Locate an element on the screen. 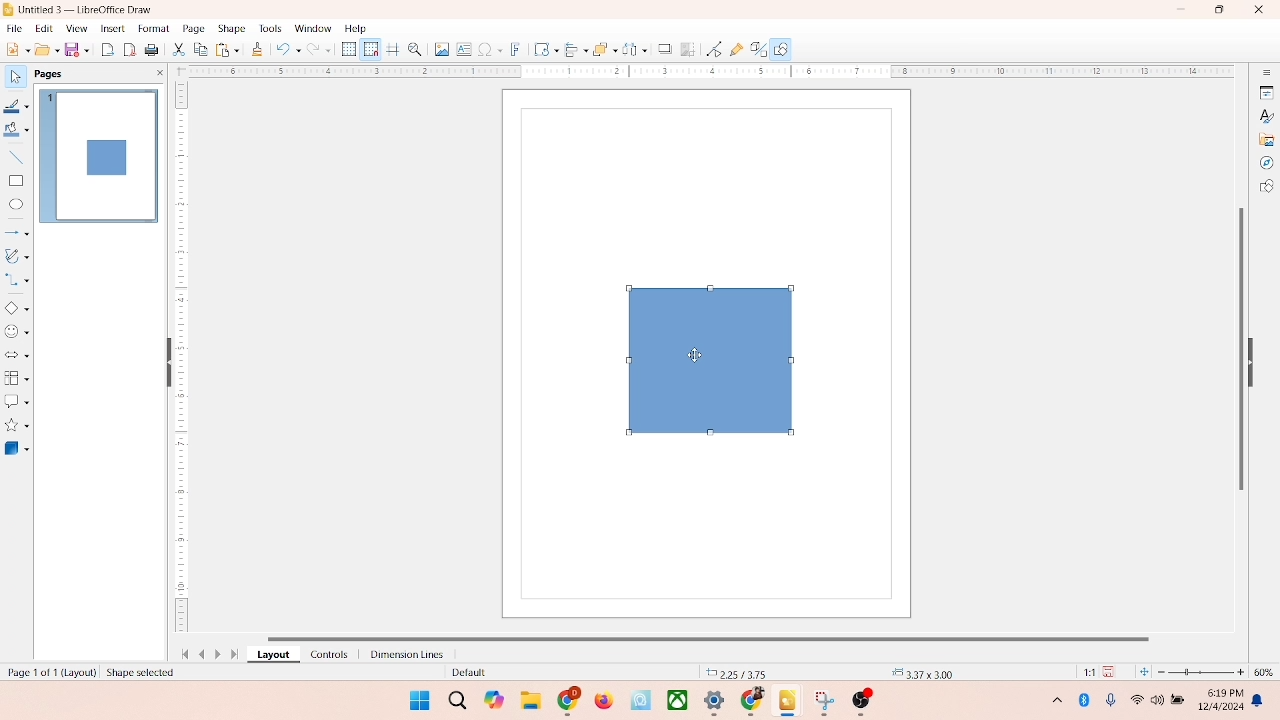  scale bar is located at coordinates (704, 72).